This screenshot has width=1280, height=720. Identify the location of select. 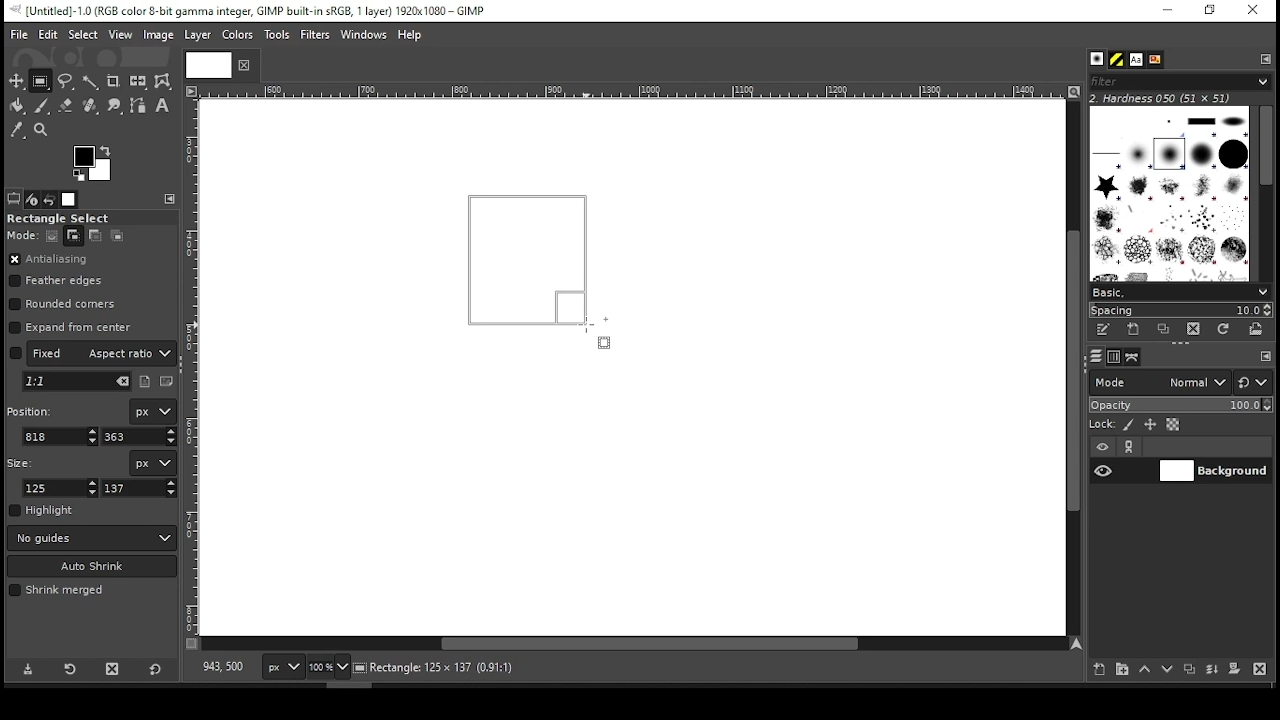
(82, 33).